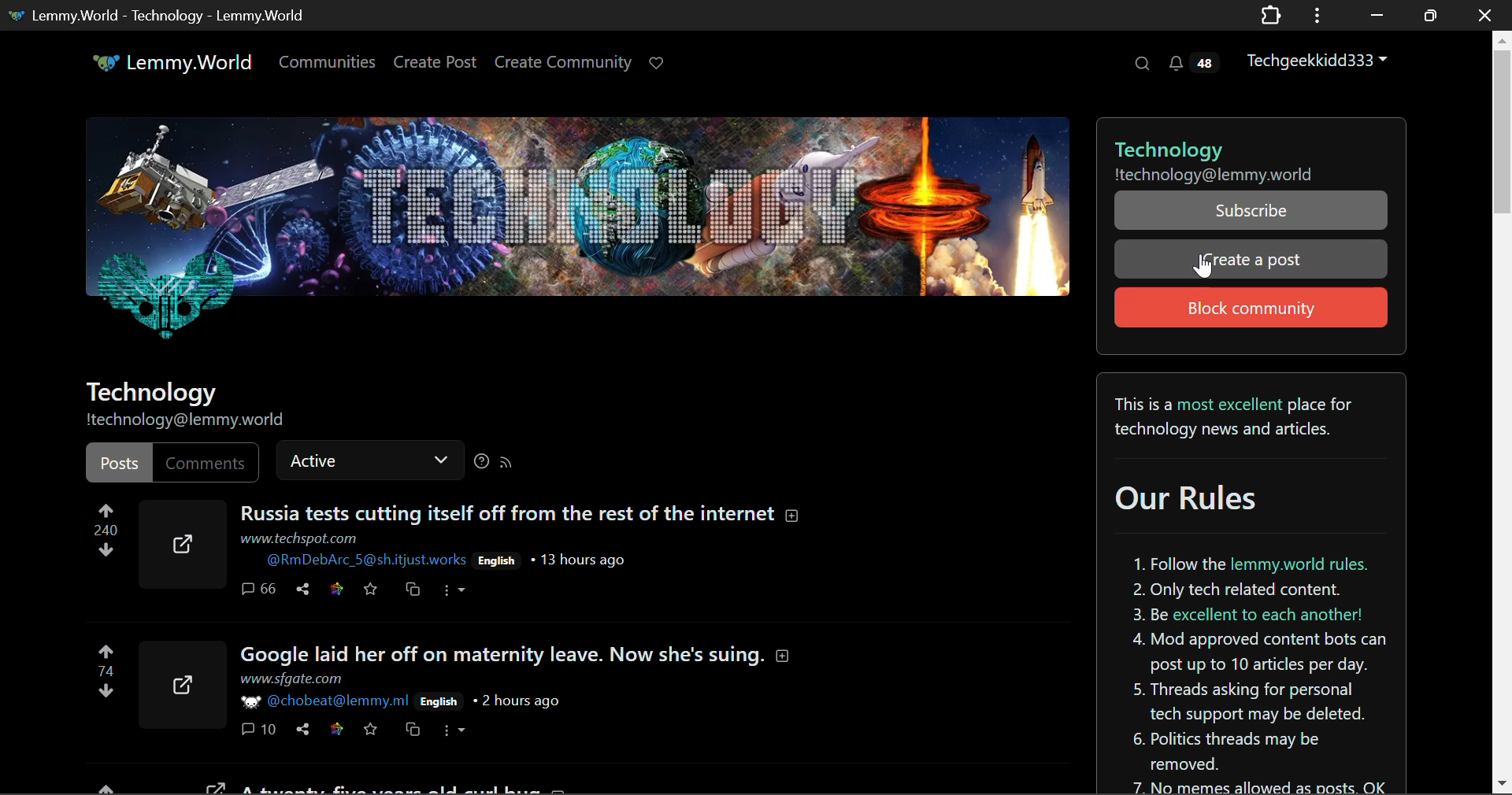 The width and height of the screenshot is (1512, 795). Describe the element at coordinates (190, 423) in the screenshot. I see `Community Lemmy Address` at that location.